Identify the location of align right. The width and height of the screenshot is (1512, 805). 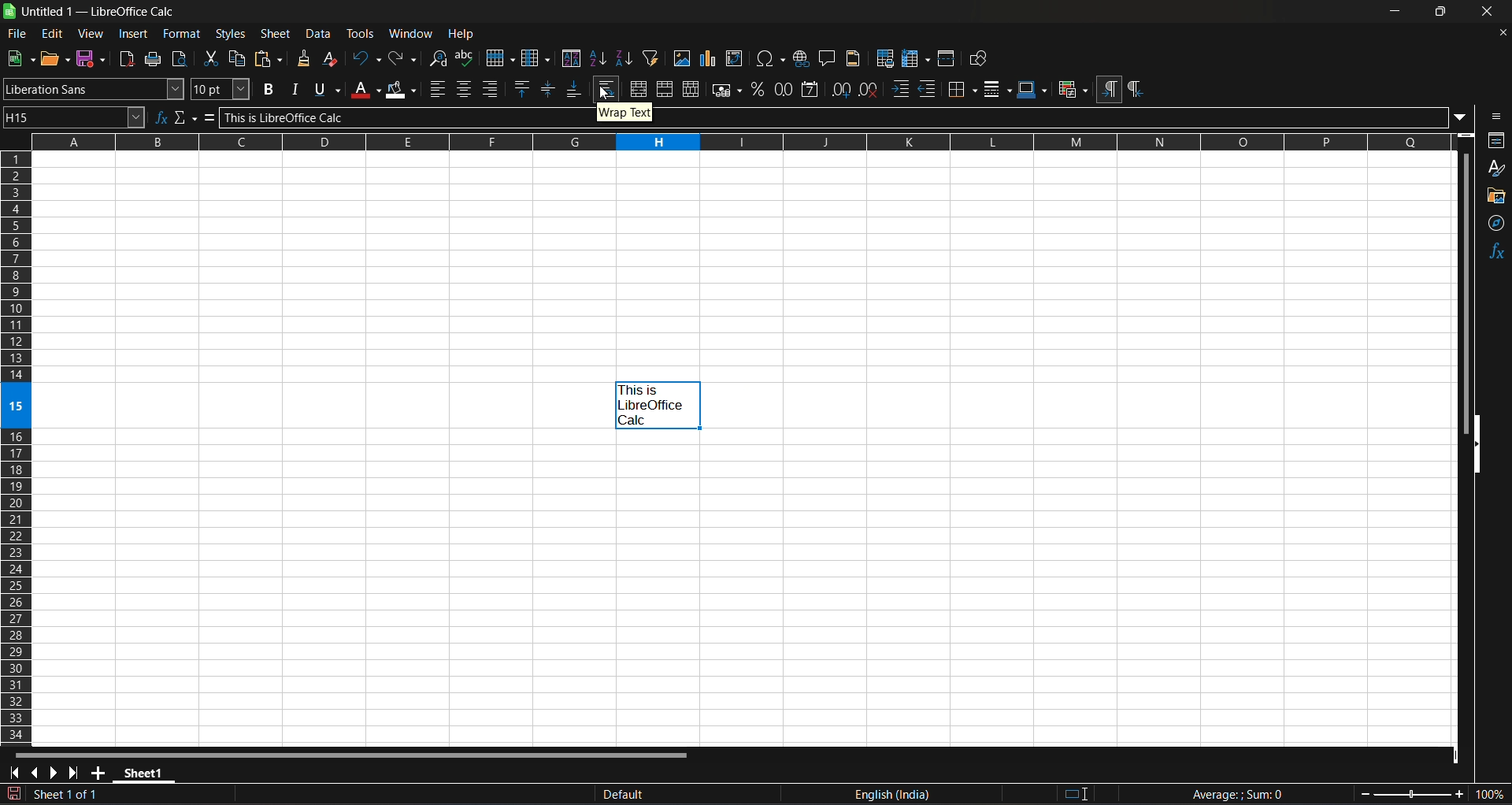
(491, 88).